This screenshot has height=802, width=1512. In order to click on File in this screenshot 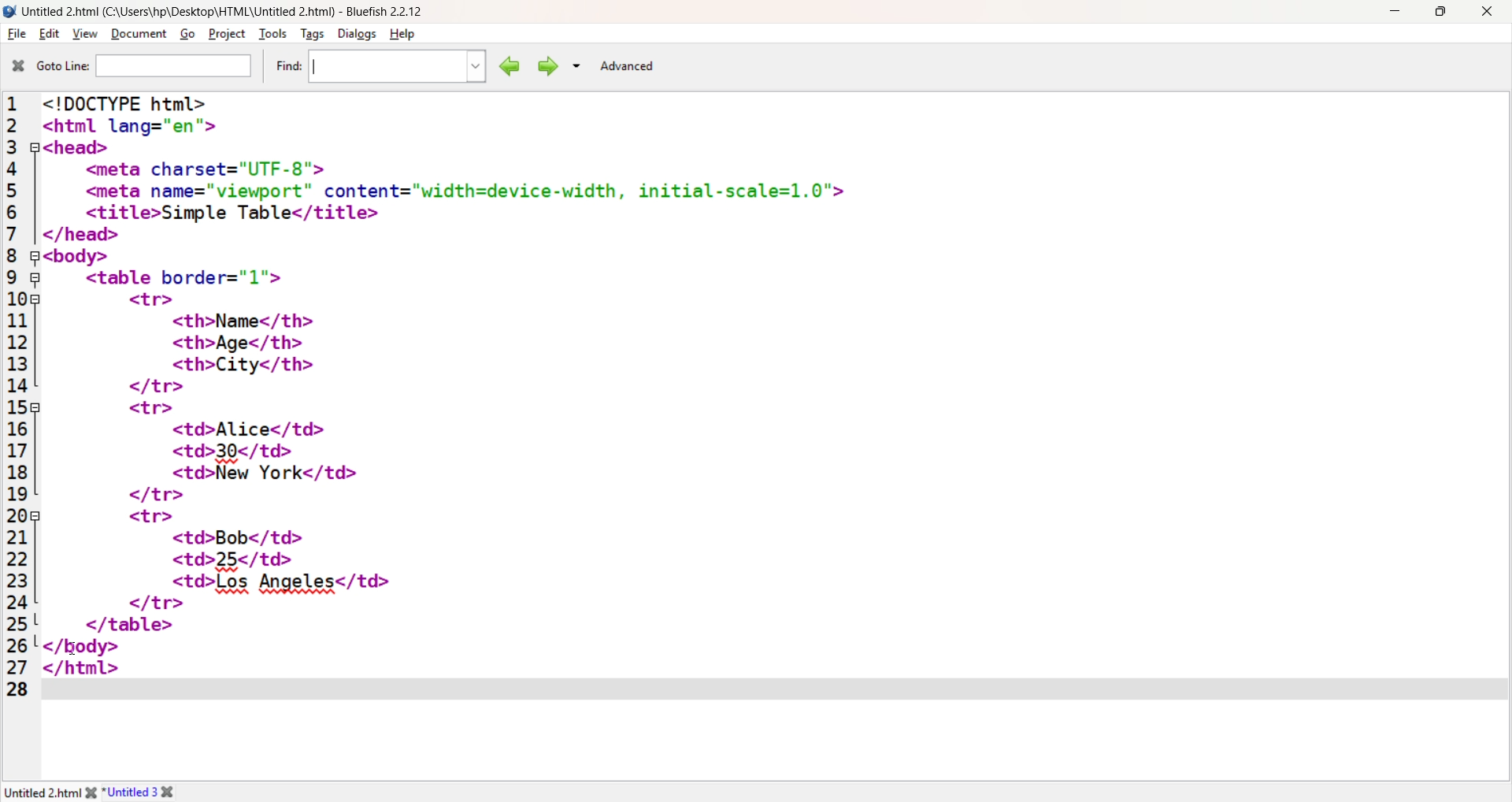, I will do `click(16, 34)`.